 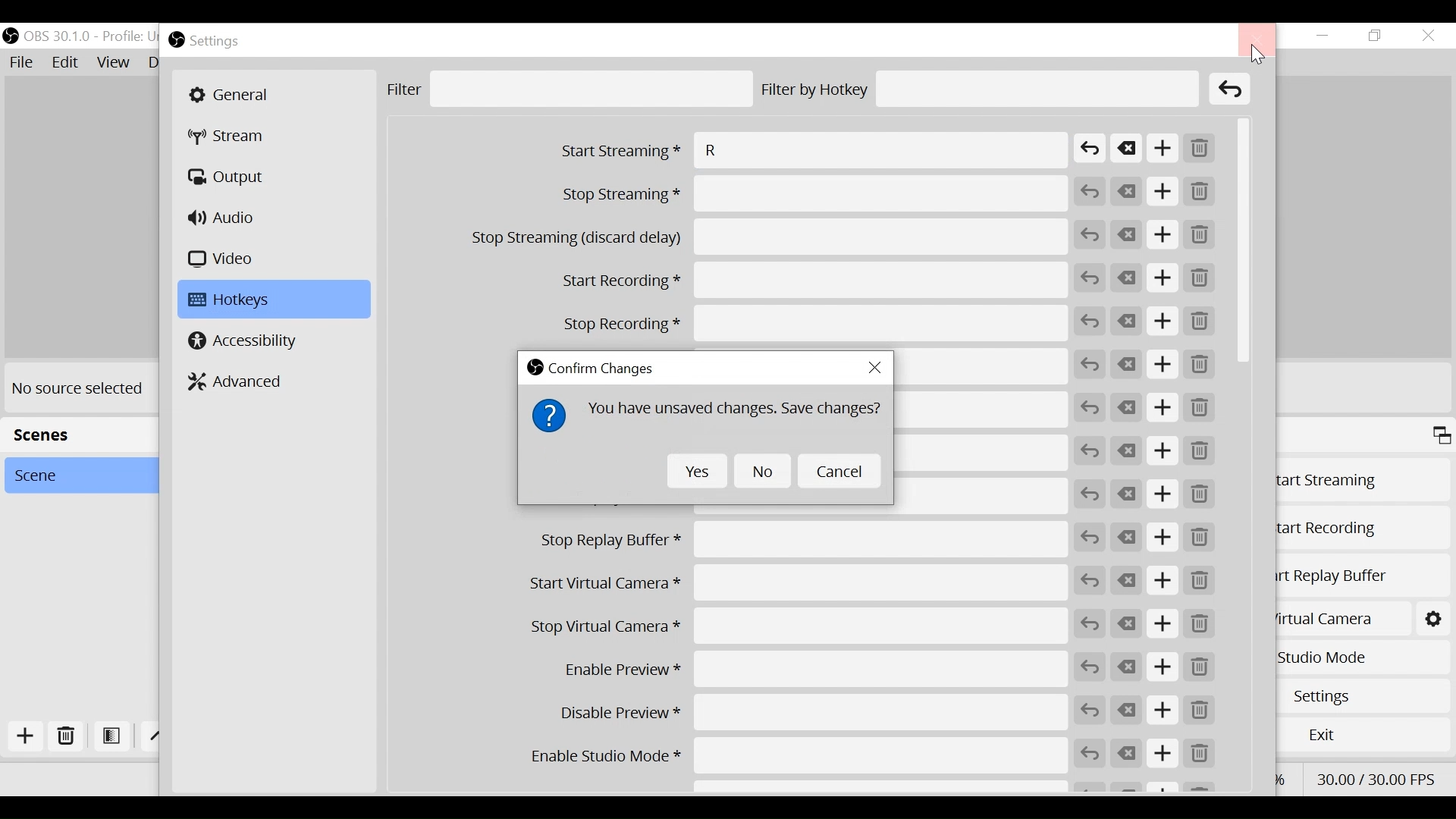 What do you see at coordinates (1129, 580) in the screenshot?
I see `Clear` at bounding box center [1129, 580].